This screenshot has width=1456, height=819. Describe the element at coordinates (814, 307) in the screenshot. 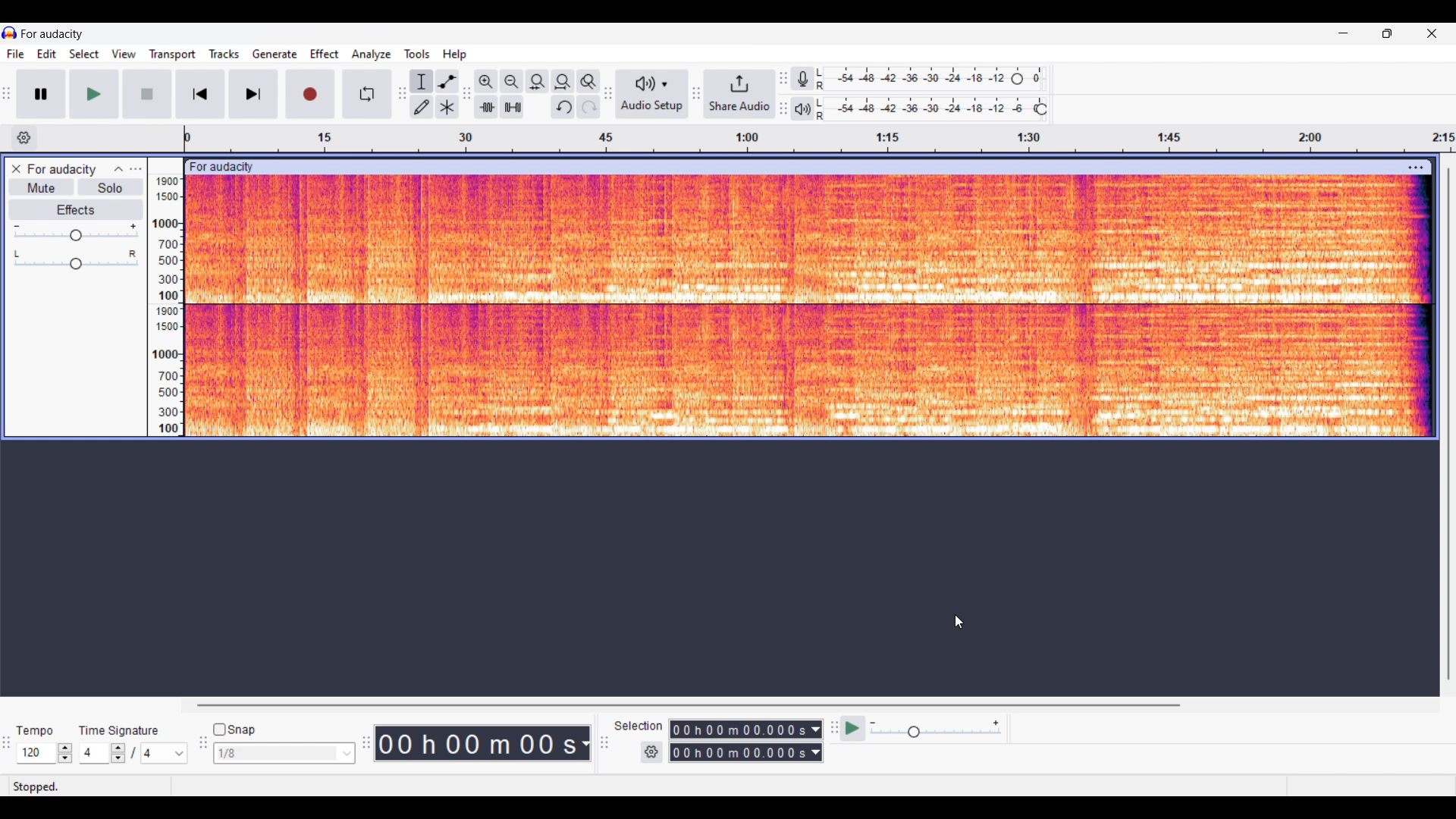

I see `Track view changed to Spectrogram view` at that location.